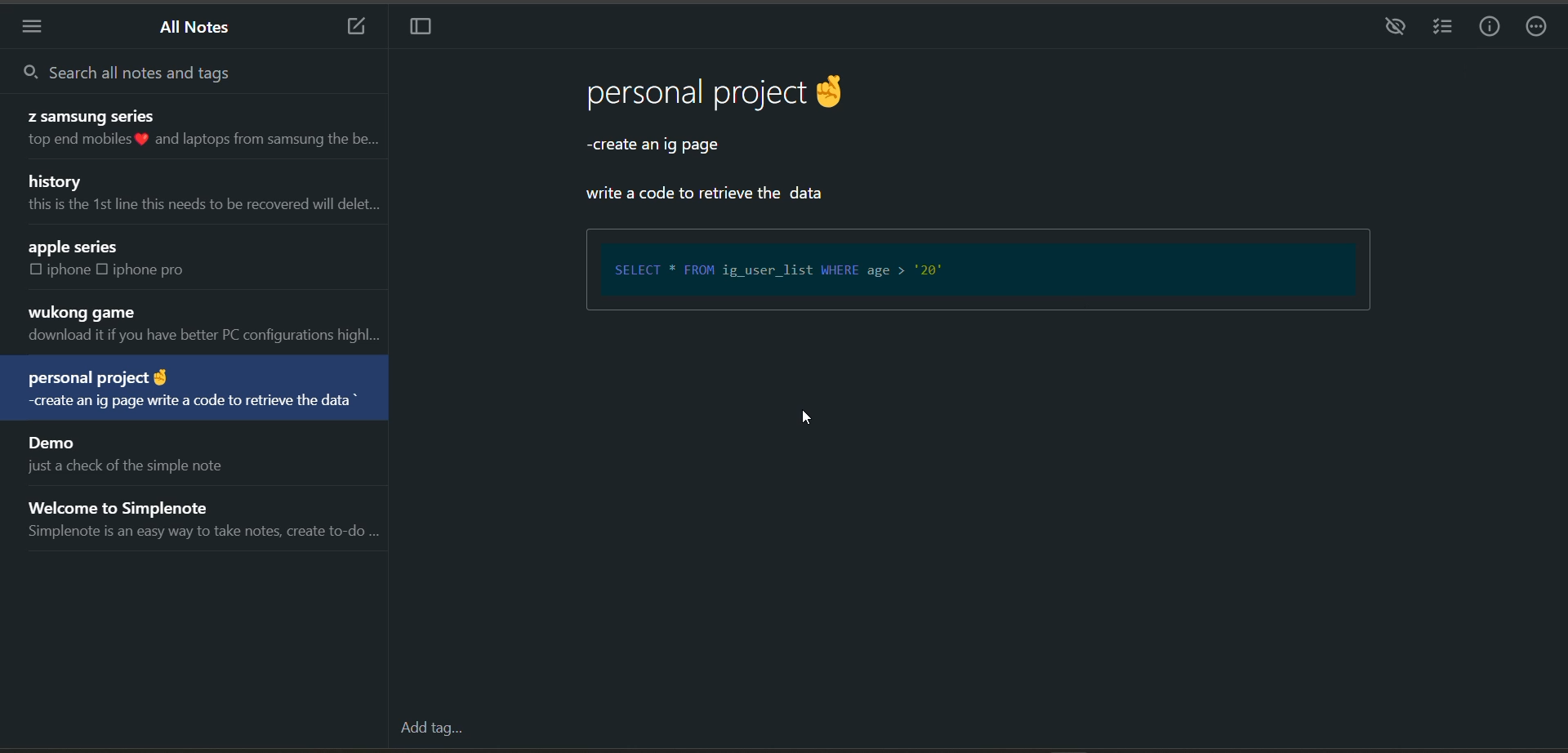 This screenshot has height=753, width=1568. I want to click on actions, so click(1539, 29).